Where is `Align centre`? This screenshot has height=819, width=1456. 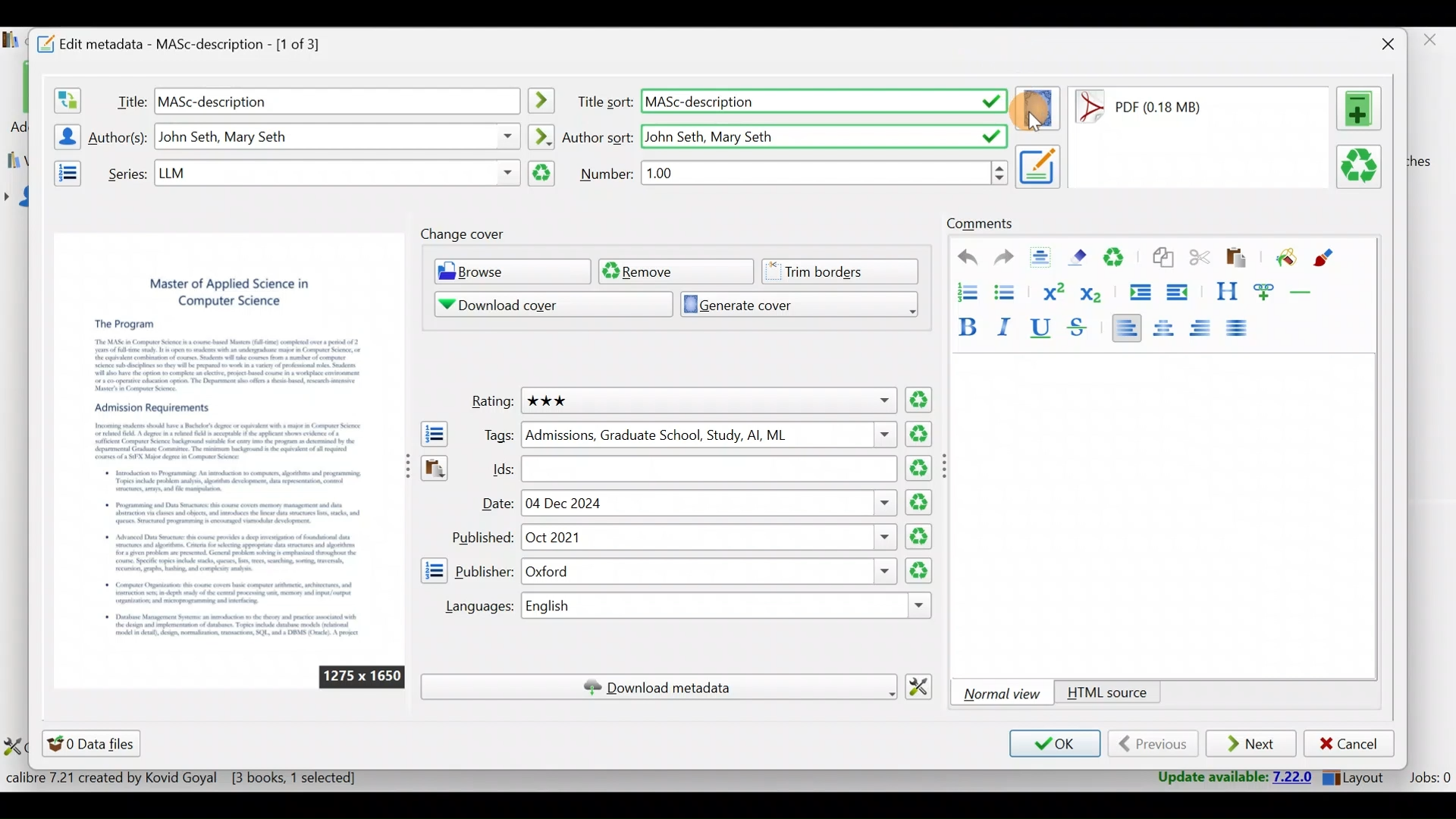 Align centre is located at coordinates (1170, 325).